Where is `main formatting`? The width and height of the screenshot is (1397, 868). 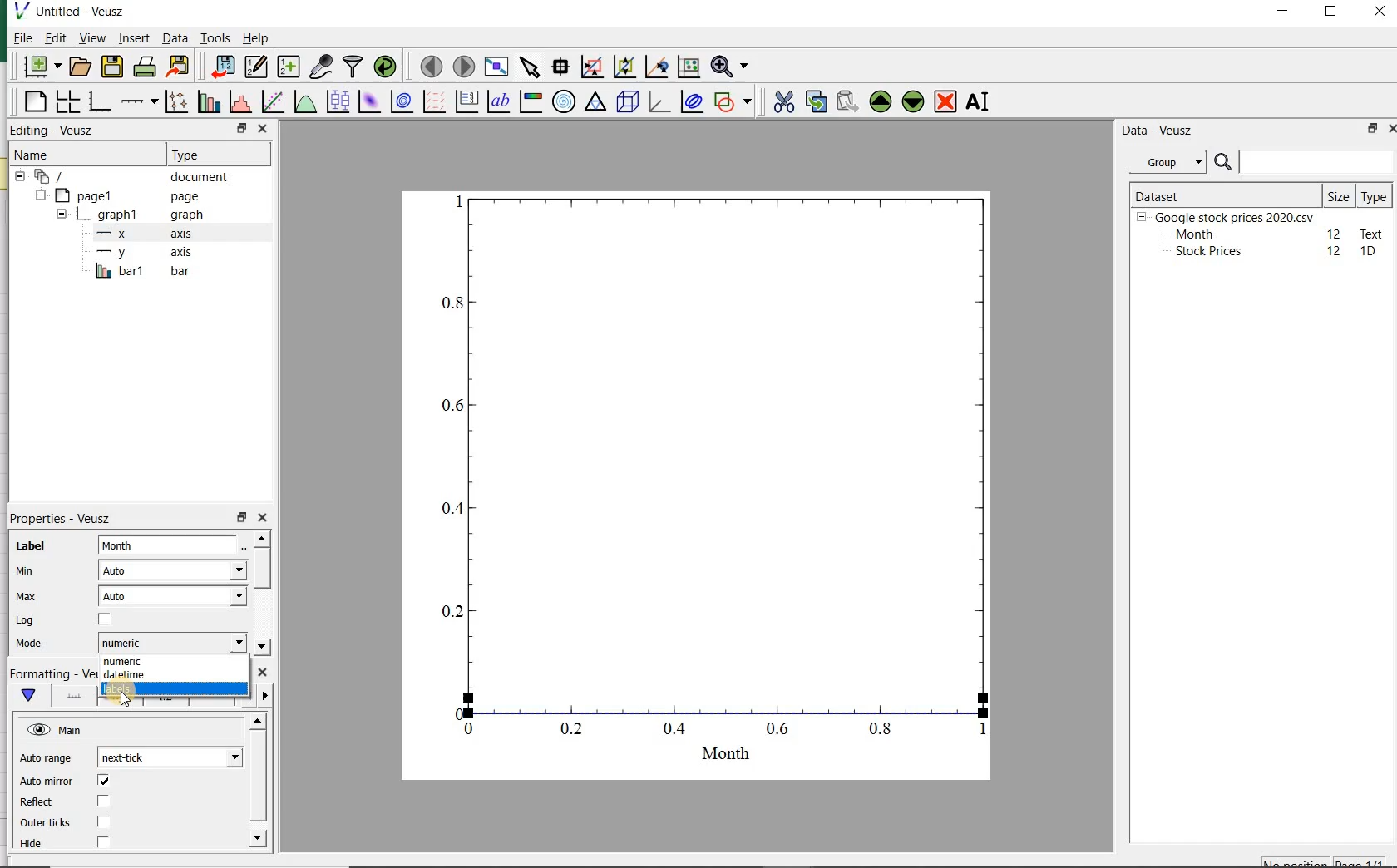 main formatting is located at coordinates (25, 695).